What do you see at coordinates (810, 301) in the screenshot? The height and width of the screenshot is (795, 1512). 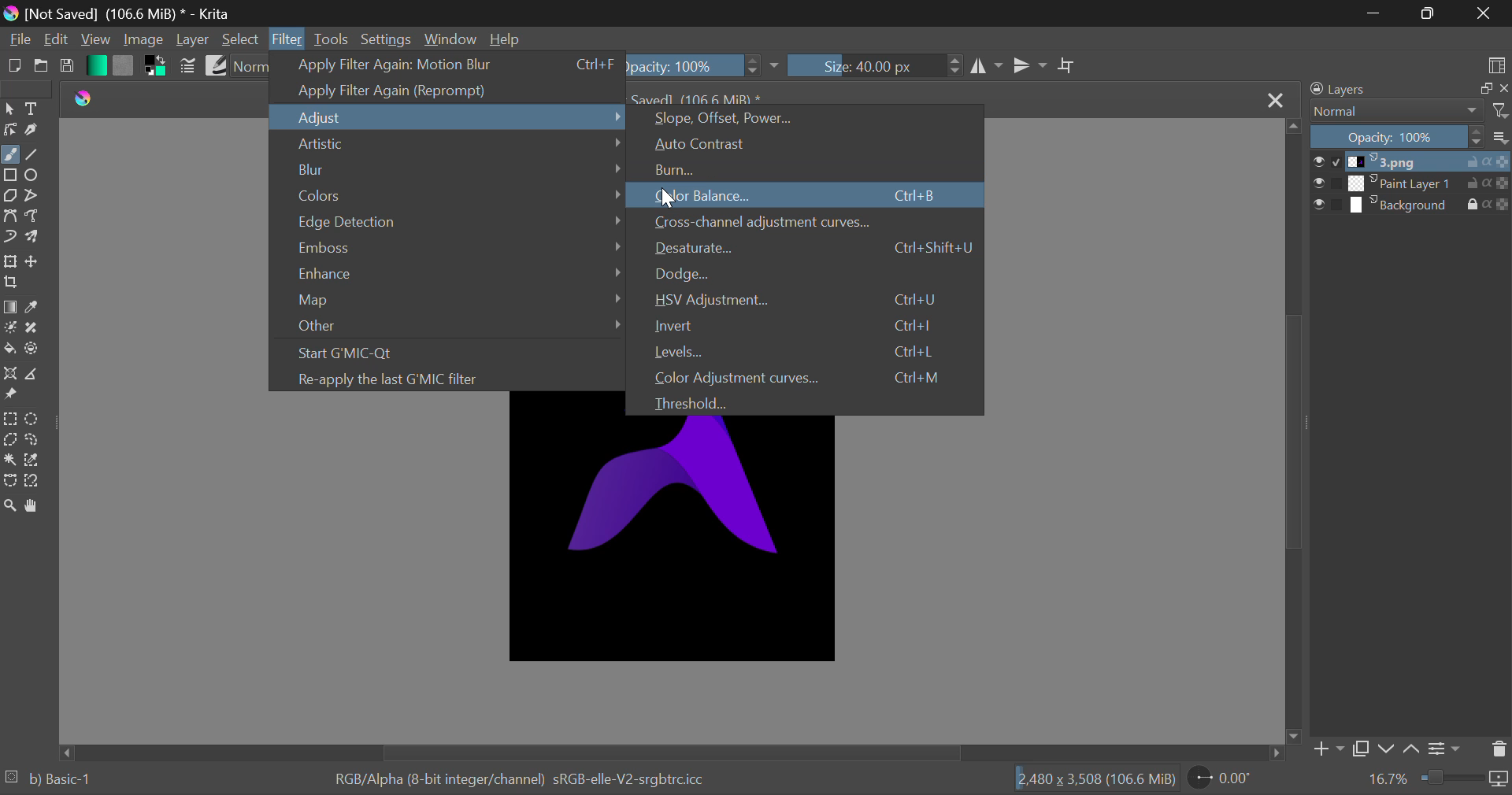 I see `HSV adjustment` at bounding box center [810, 301].